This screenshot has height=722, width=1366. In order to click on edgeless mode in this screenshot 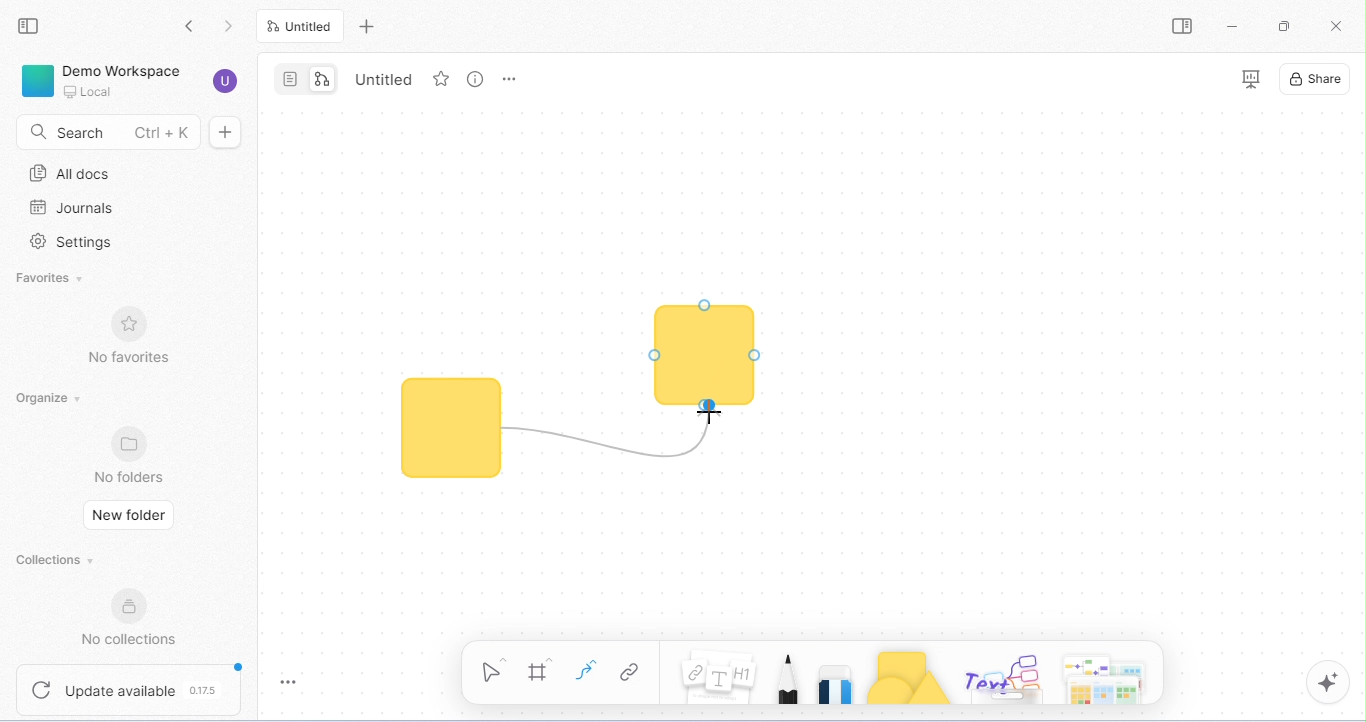, I will do `click(326, 79)`.